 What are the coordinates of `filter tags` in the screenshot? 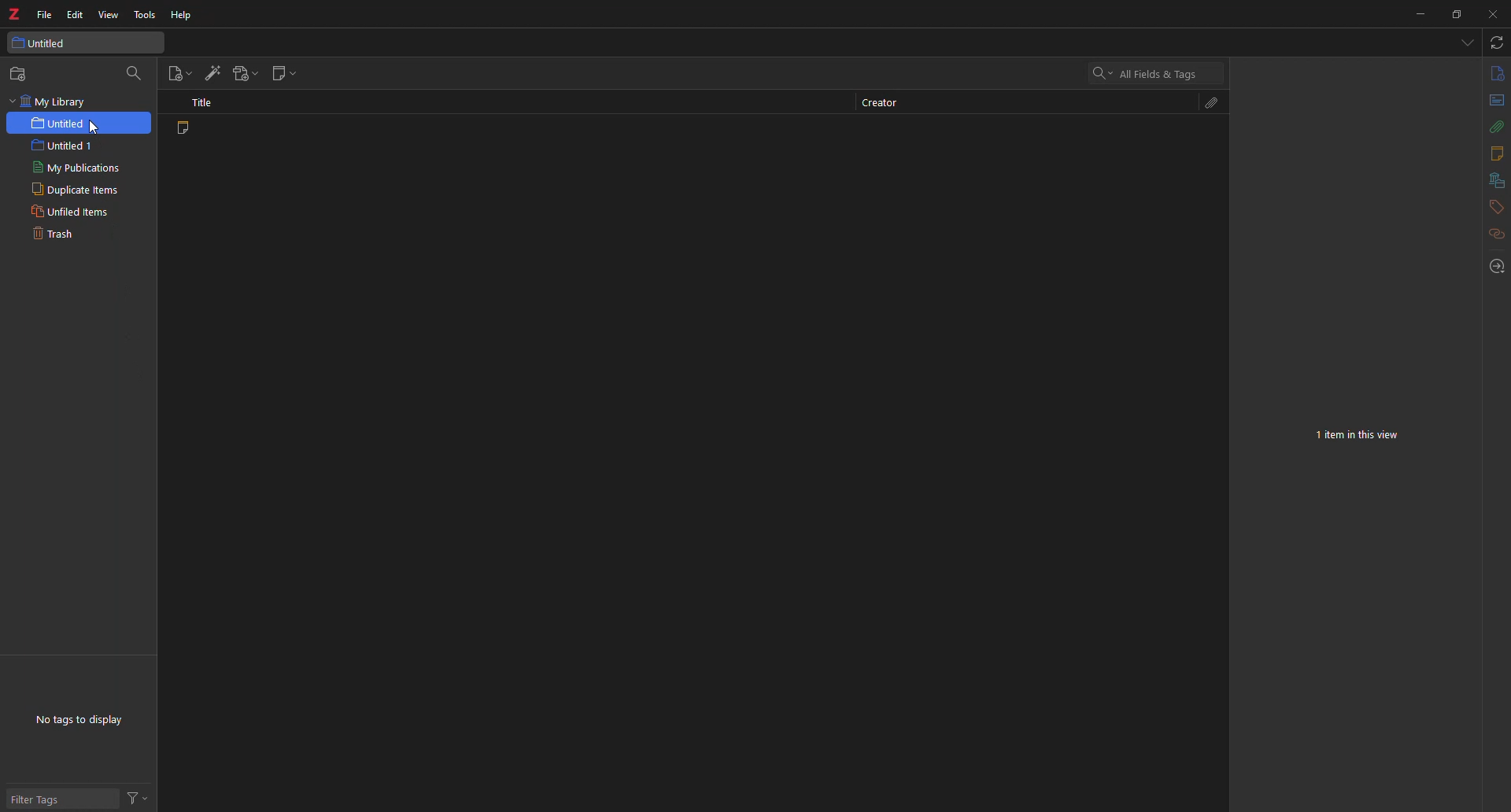 It's located at (42, 793).